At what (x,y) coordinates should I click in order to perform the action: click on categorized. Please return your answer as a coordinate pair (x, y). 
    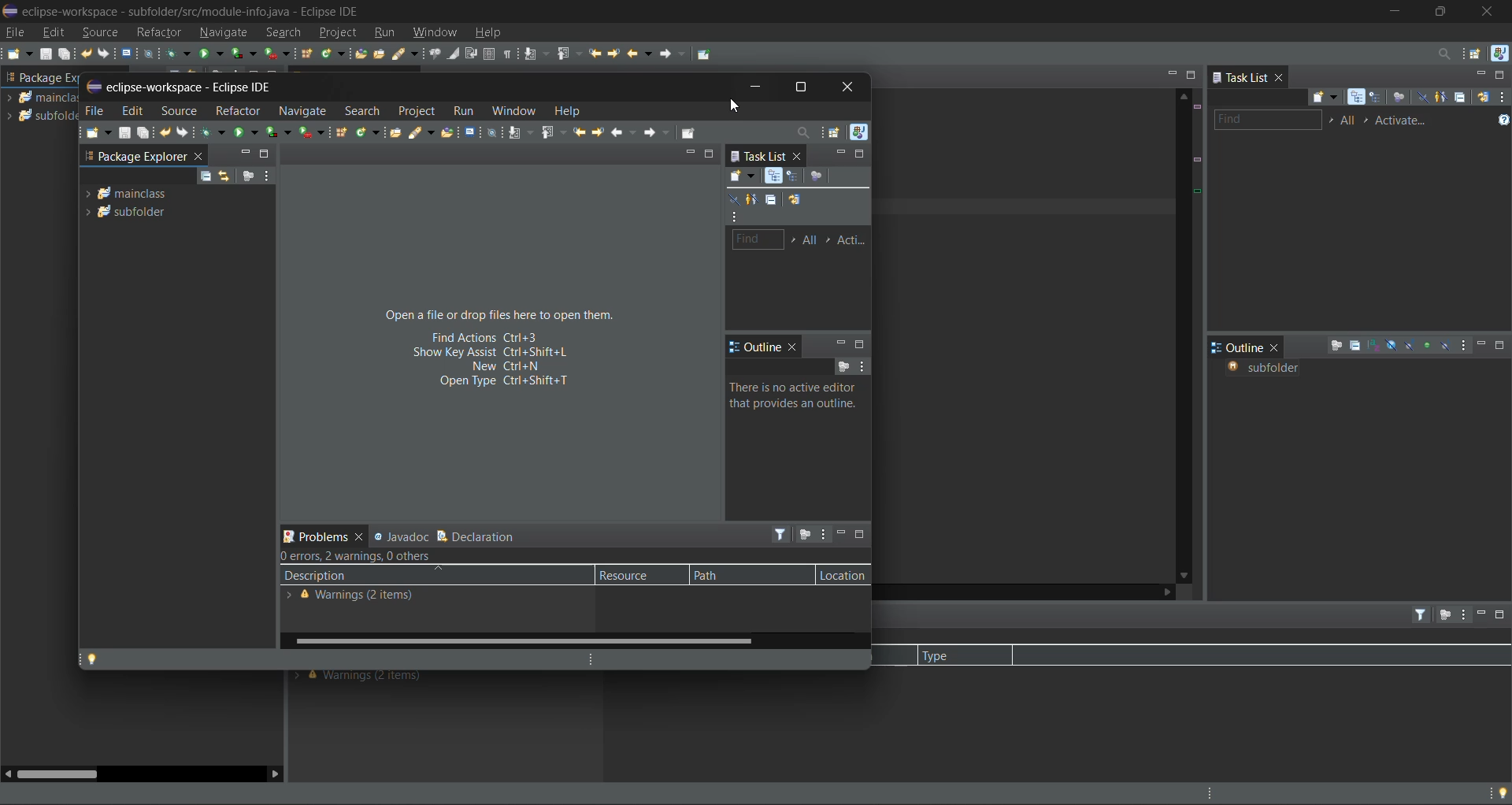
    Looking at the image, I should click on (774, 177).